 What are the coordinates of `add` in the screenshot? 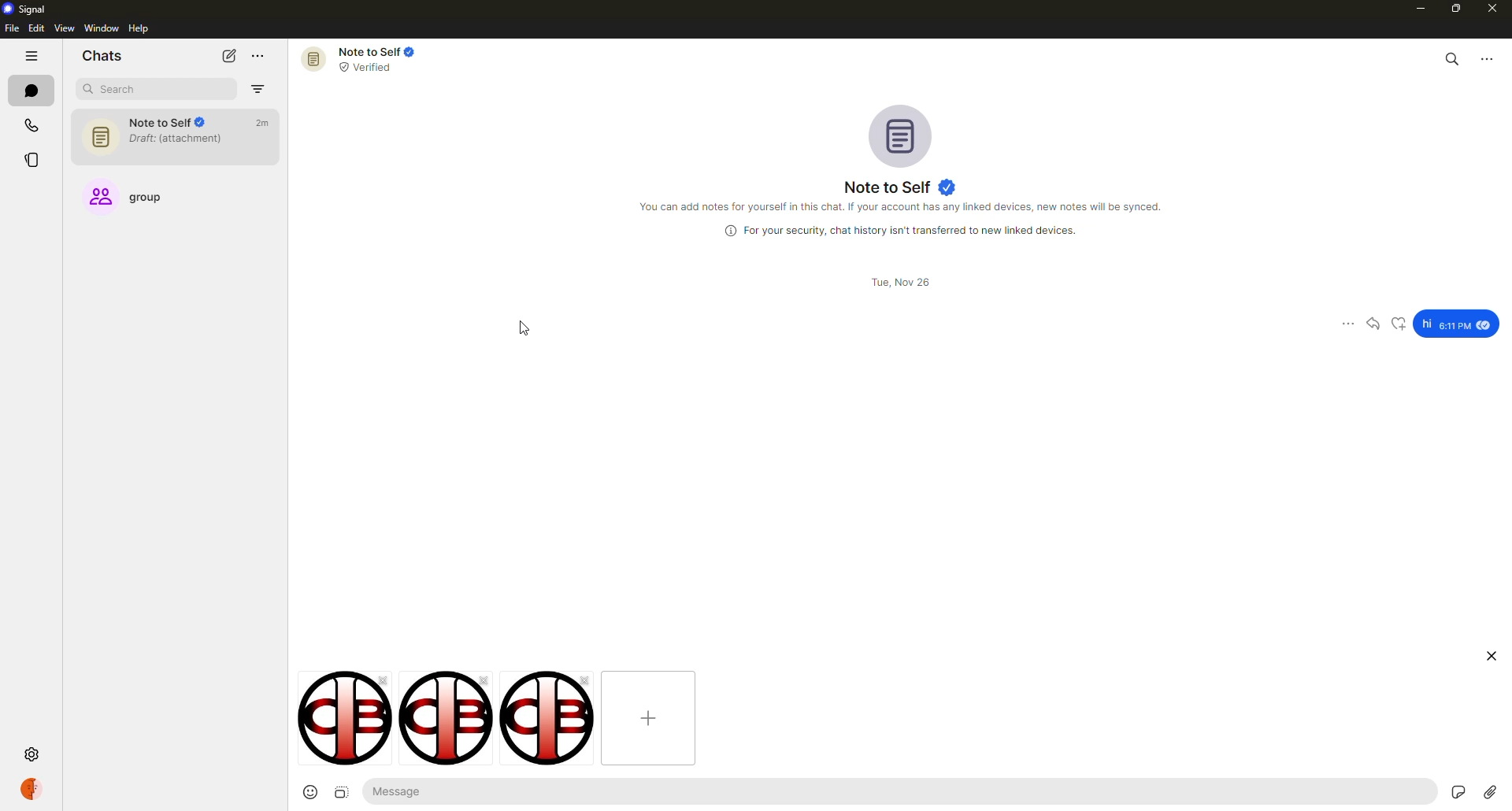 It's located at (650, 716).